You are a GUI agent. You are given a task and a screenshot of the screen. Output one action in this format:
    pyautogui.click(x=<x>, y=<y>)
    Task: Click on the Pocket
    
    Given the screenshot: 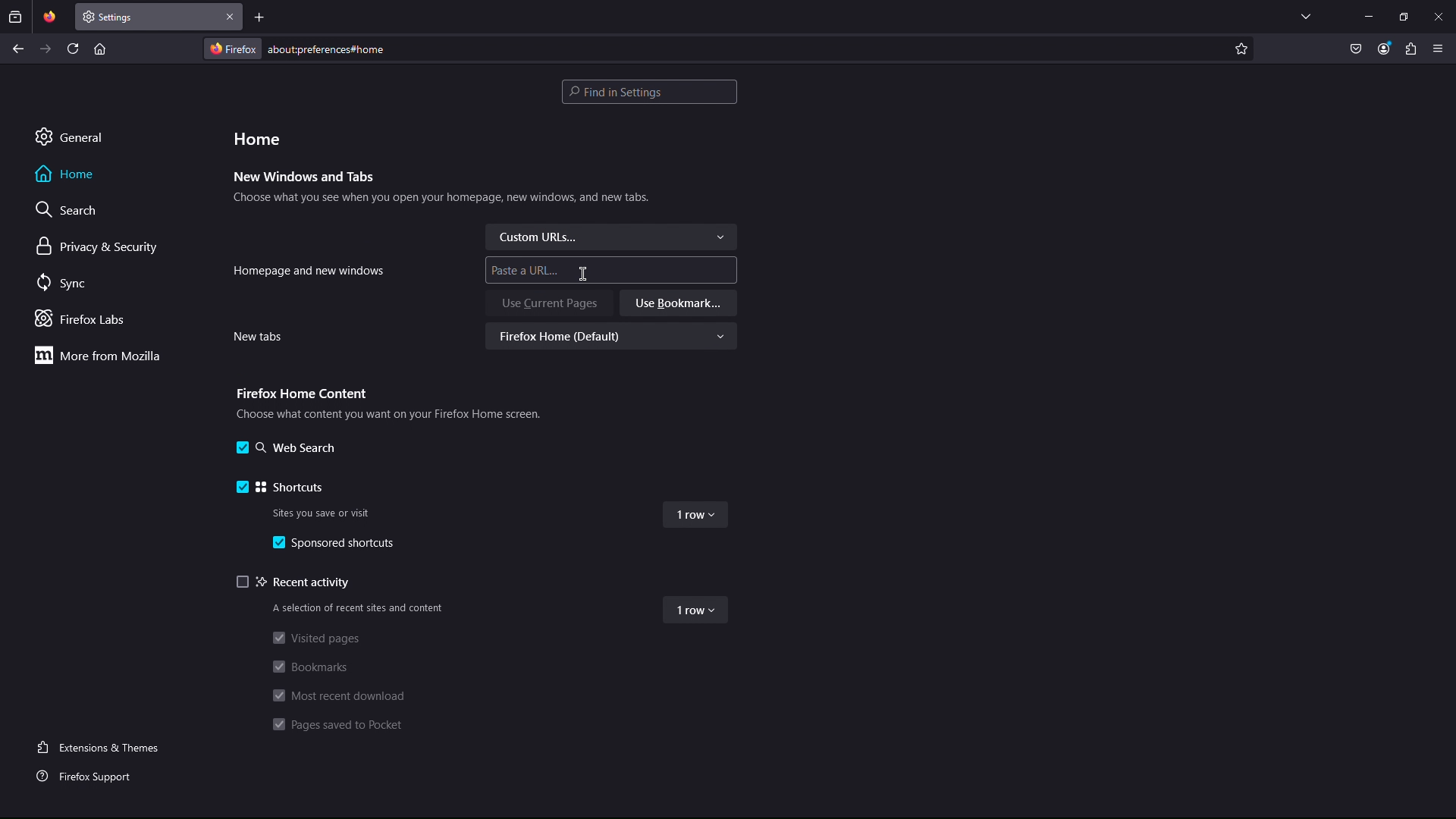 What is the action you would take?
    pyautogui.click(x=1357, y=50)
    